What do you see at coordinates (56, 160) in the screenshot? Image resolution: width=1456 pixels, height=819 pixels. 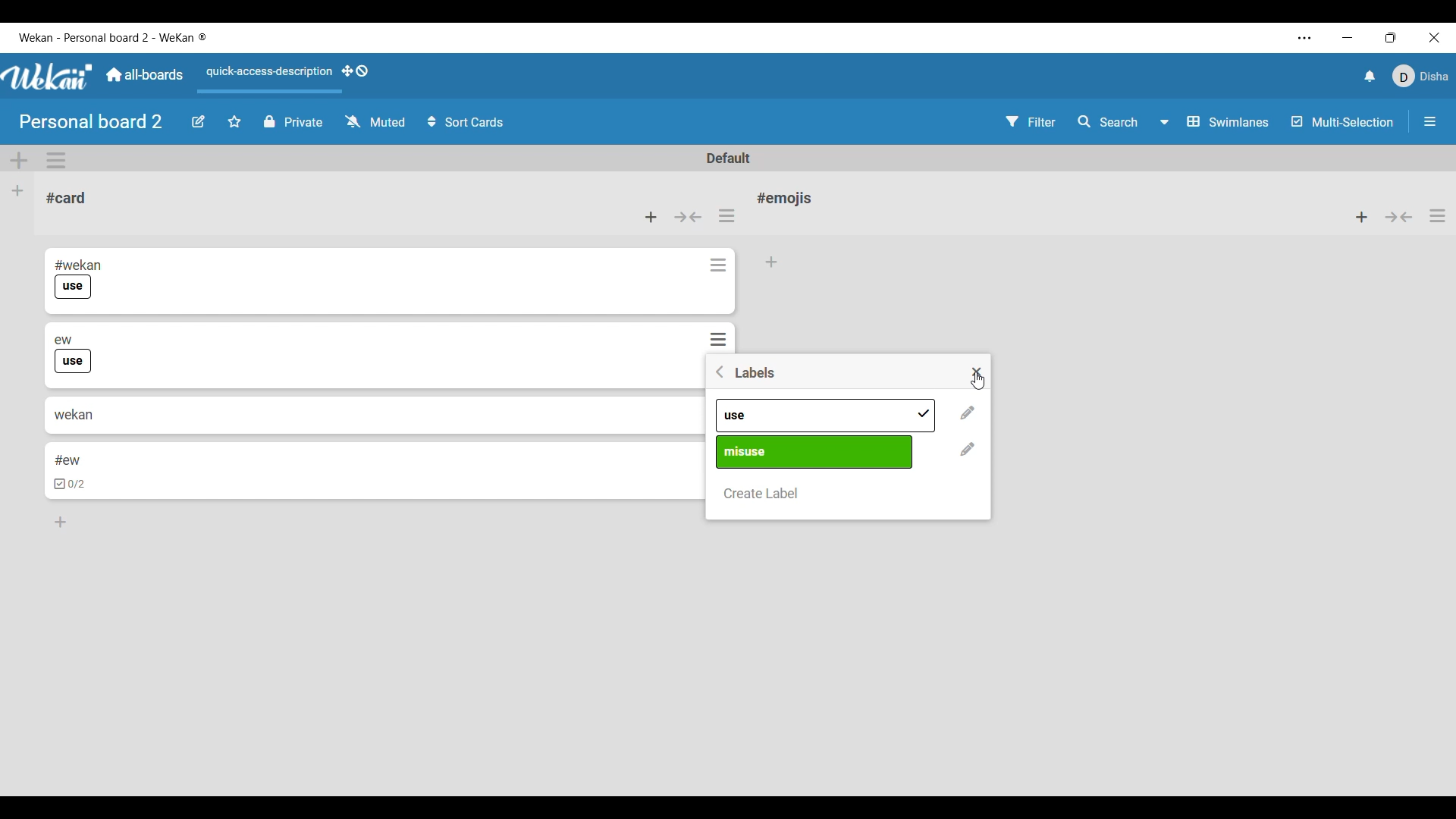 I see `Swimlane actions` at bounding box center [56, 160].